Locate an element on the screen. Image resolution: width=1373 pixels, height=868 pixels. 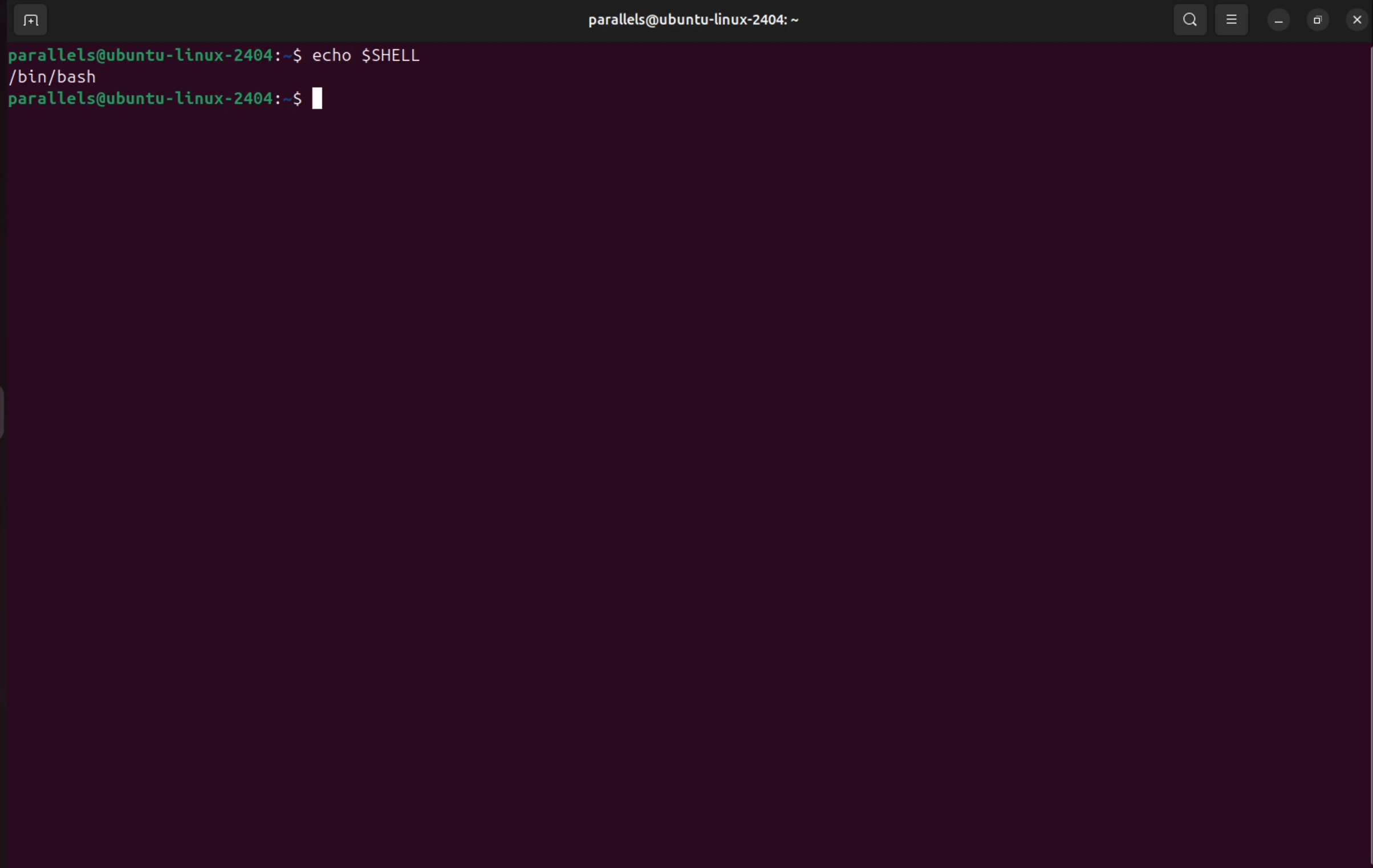
add treminal is located at coordinates (30, 22).